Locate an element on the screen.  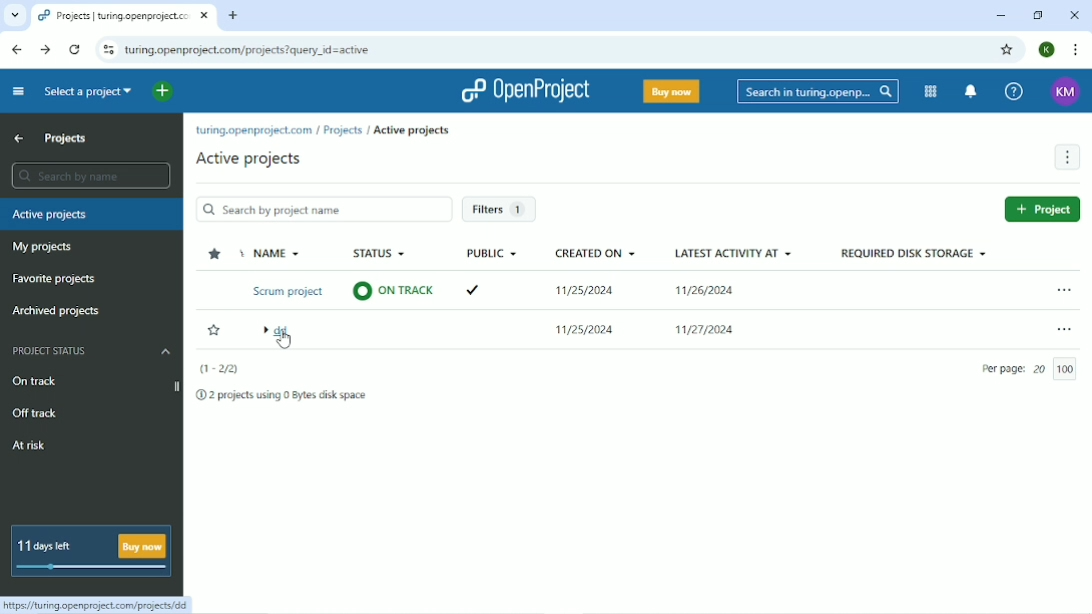
Projects is located at coordinates (342, 130).